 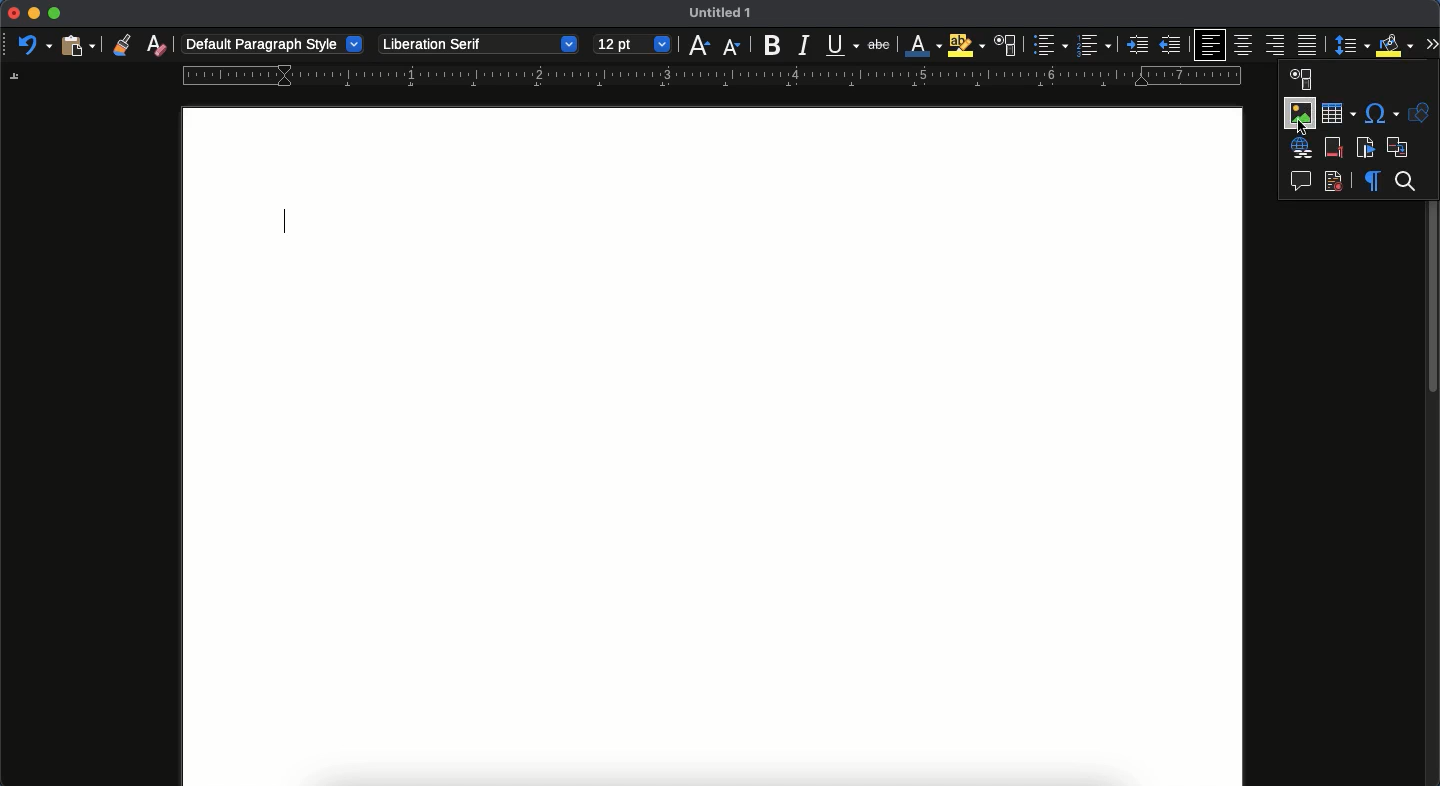 What do you see at coordinates (1136, 47) in the screenshot?
I see `indented` at bounding box center [1136, 47].